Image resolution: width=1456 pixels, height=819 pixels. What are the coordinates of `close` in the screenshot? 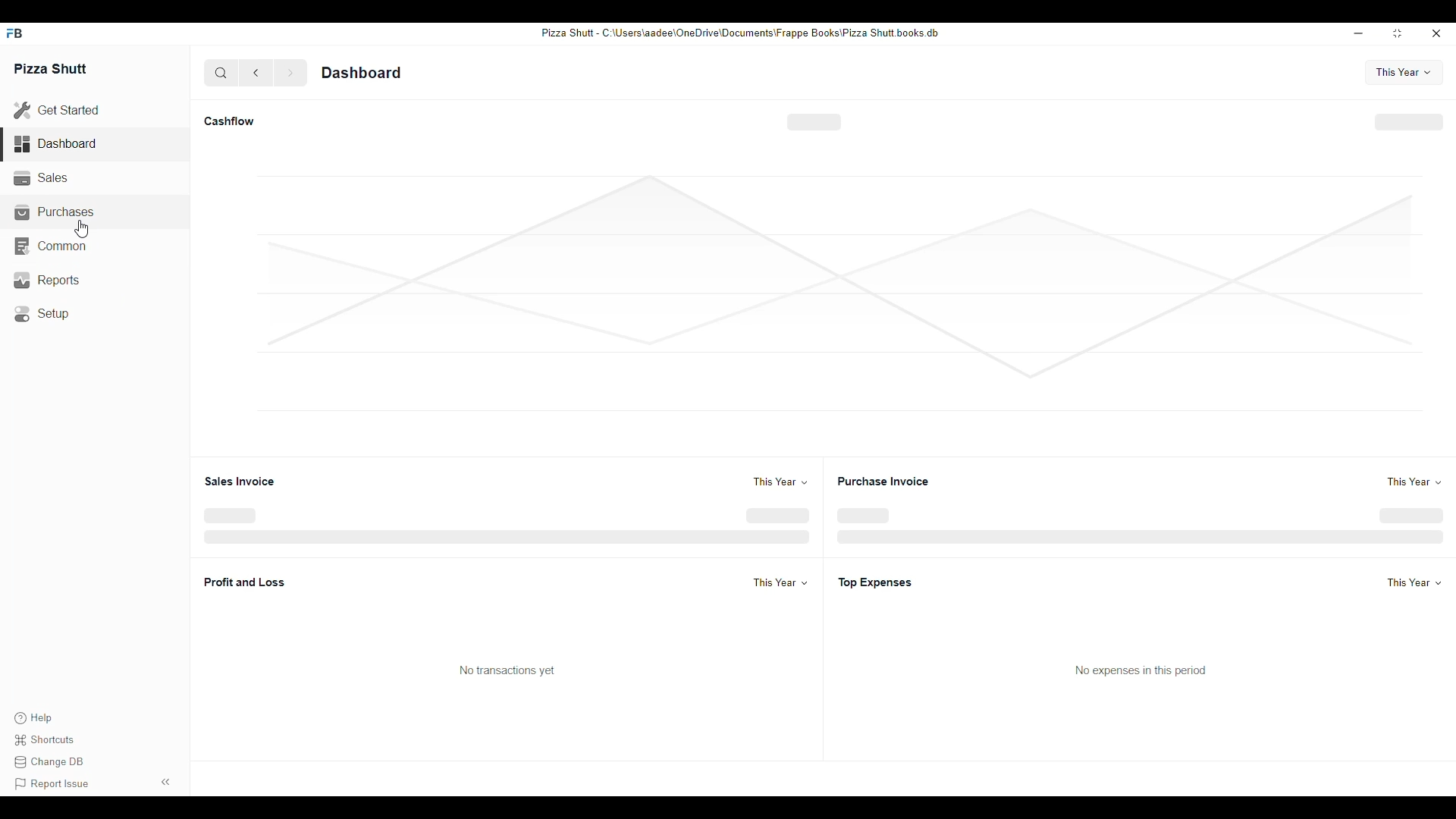 It's located at (1437, 34).